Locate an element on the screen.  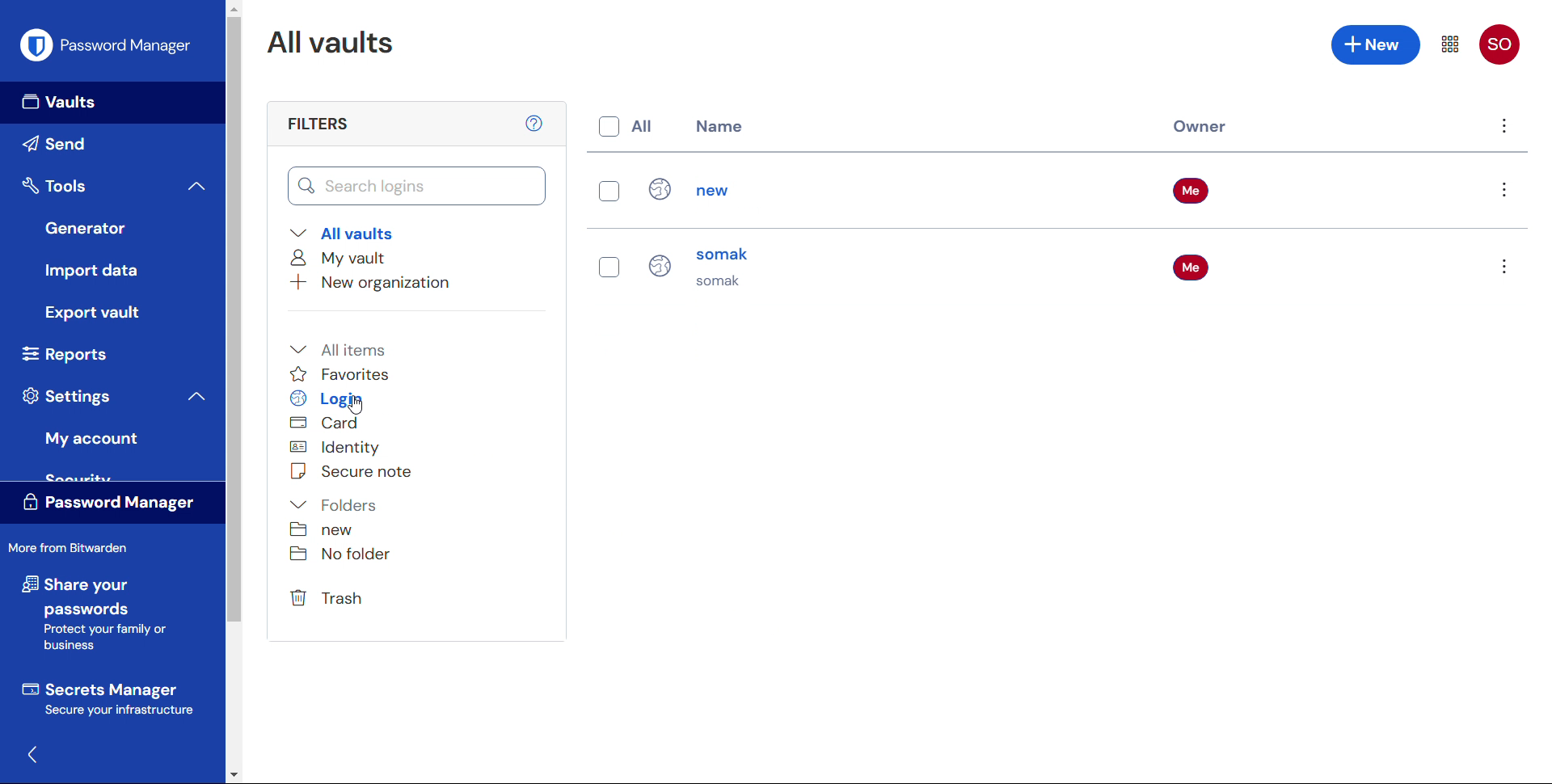
Tools  is located at coordinates (89, 185).